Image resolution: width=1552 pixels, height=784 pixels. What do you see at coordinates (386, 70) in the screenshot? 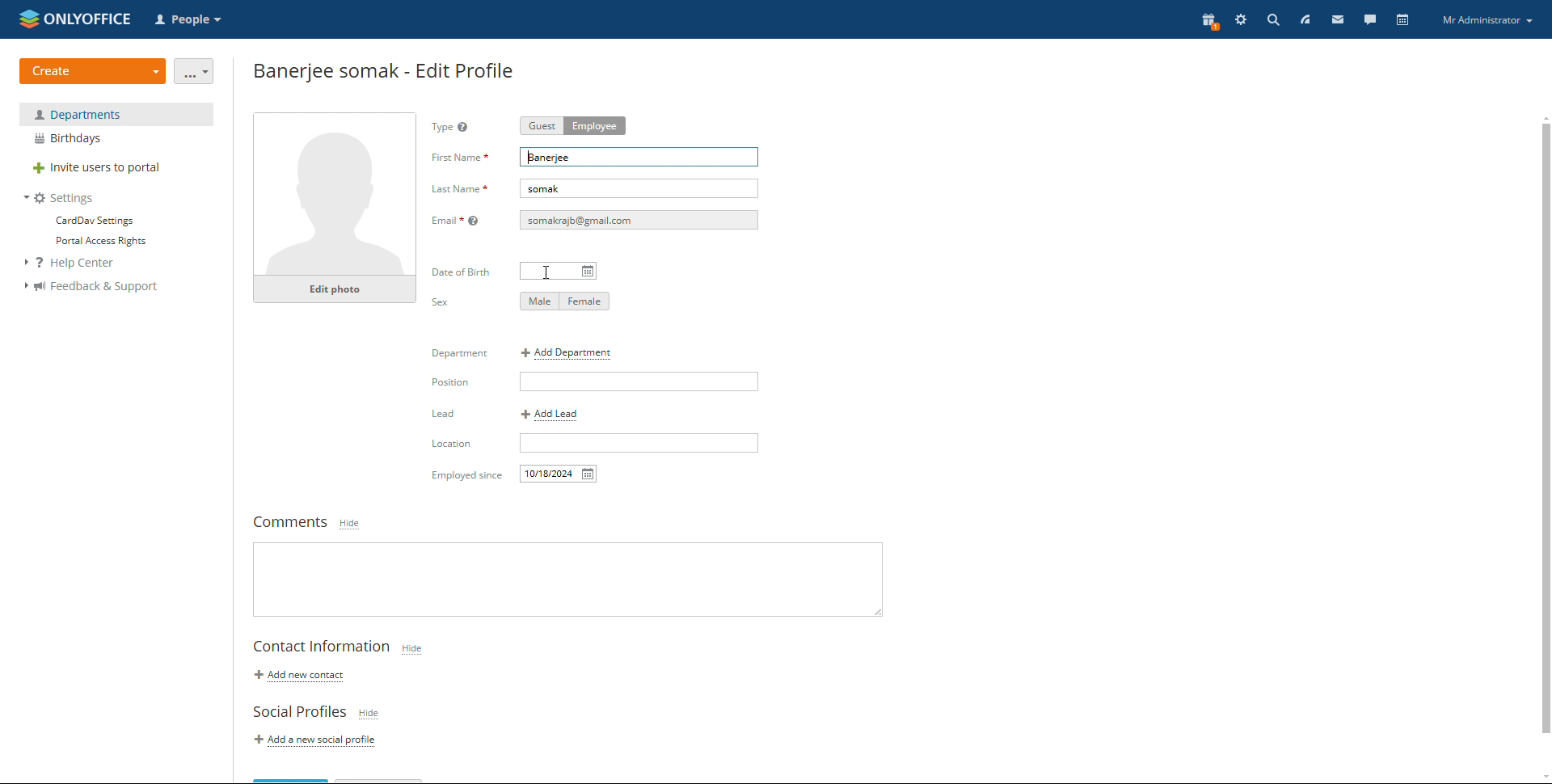
I see `employee edit profile` at bounding box center [386, 70].